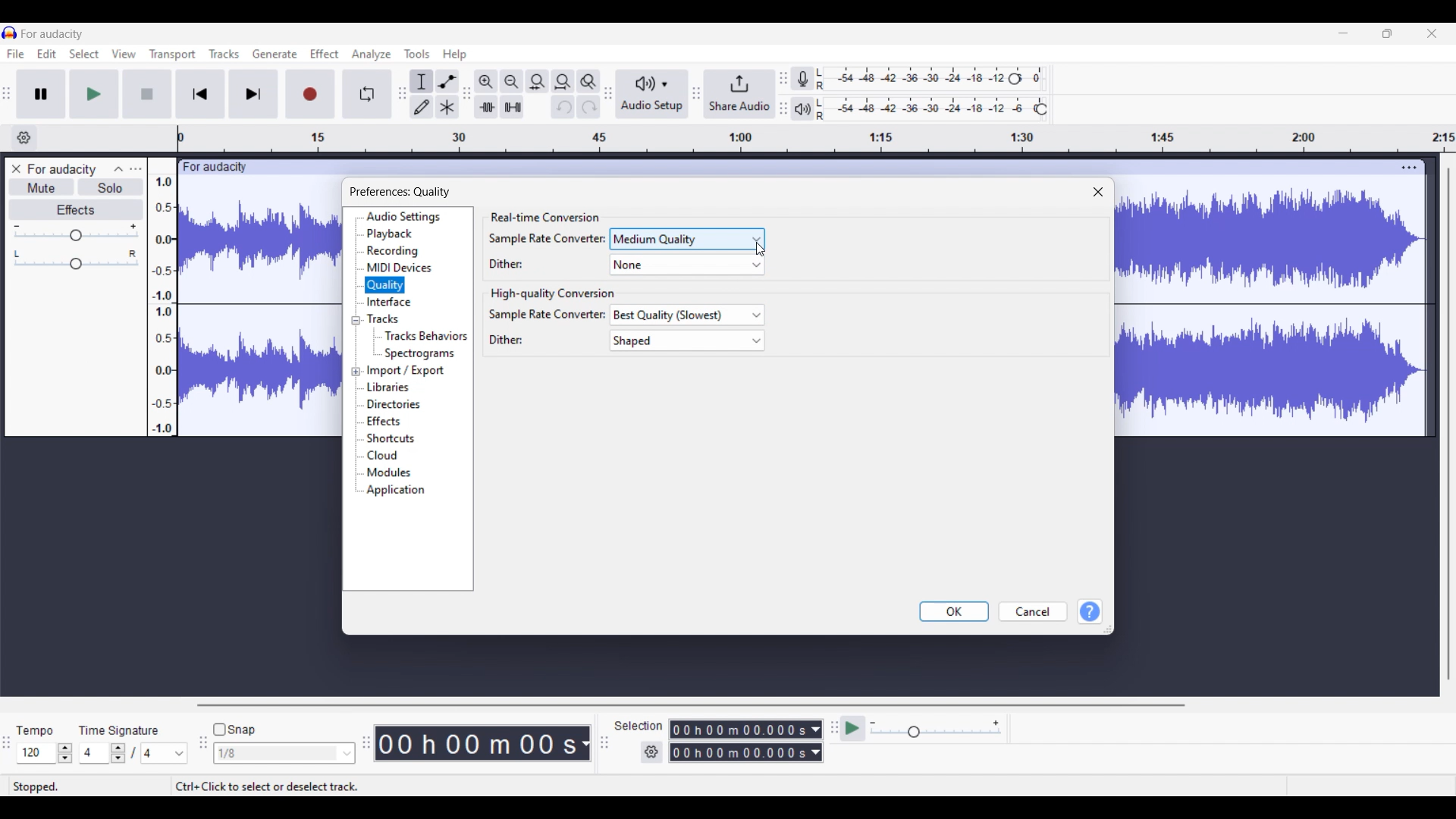 This screenshot has height=819, width=1456. I want to click on Project name, so click(61, 171).